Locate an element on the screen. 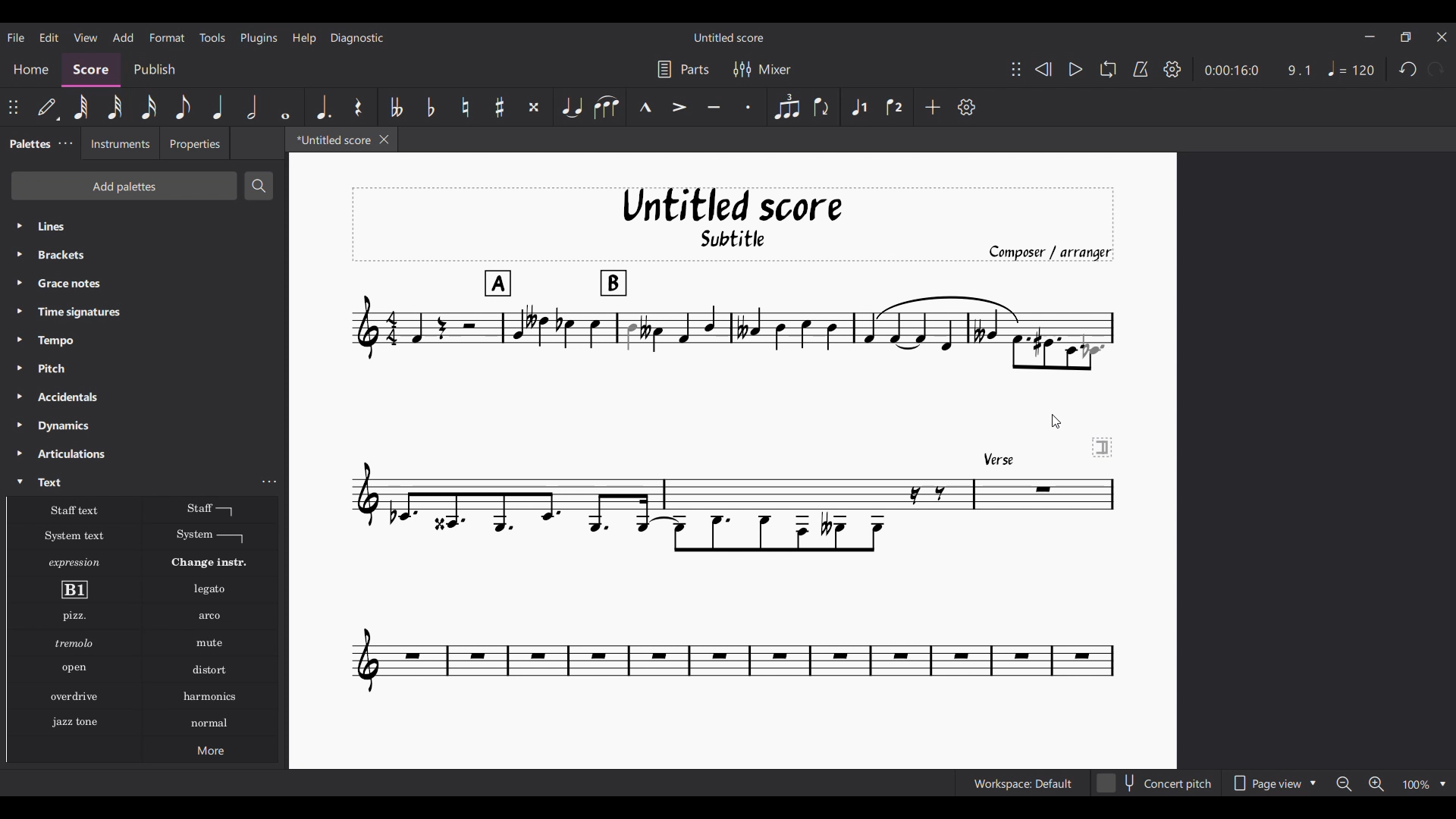  Default is located at coordinates (48, 107).